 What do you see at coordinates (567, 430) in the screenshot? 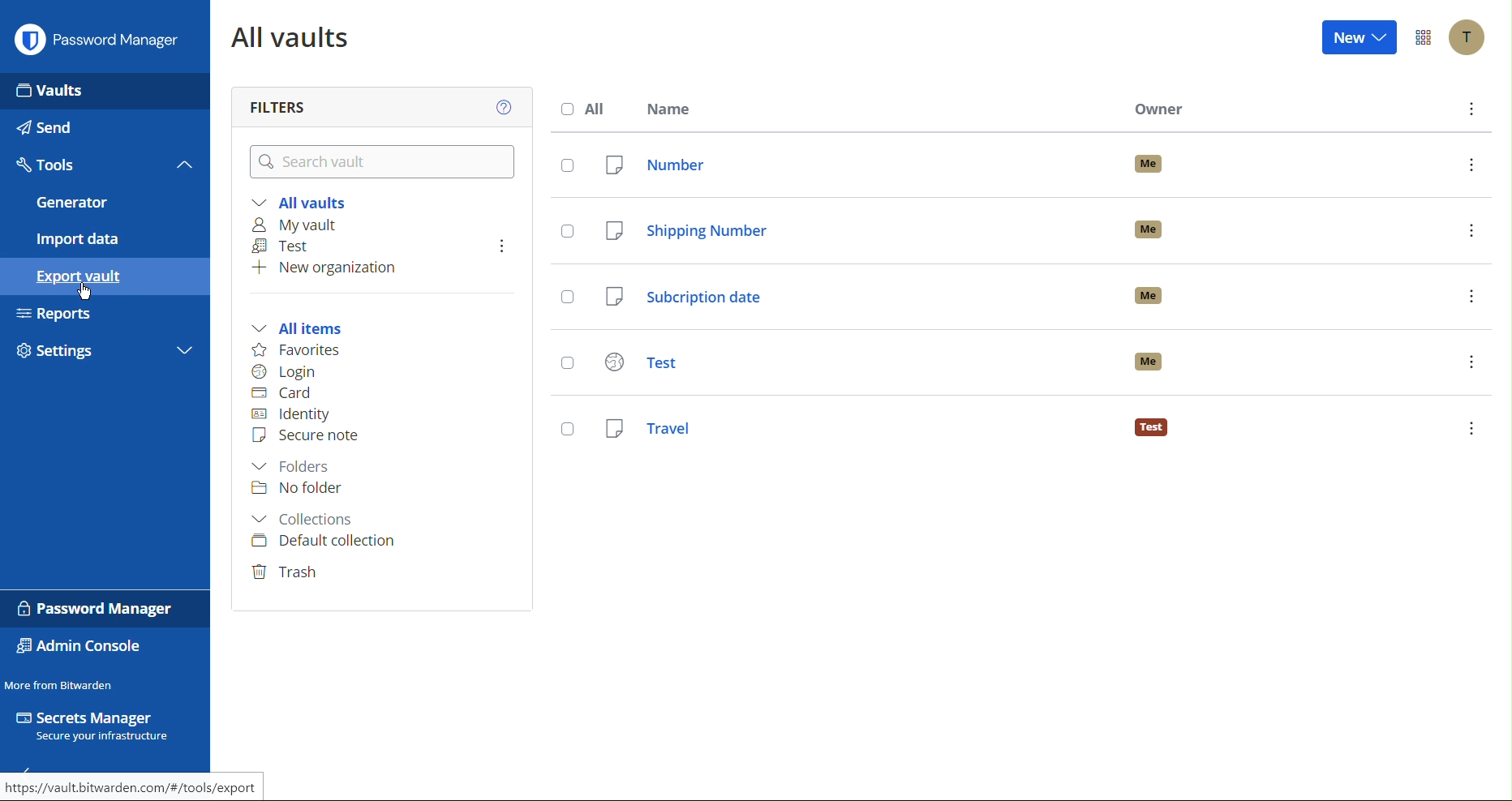
I see `select entry` at bounding box center [567, 430].